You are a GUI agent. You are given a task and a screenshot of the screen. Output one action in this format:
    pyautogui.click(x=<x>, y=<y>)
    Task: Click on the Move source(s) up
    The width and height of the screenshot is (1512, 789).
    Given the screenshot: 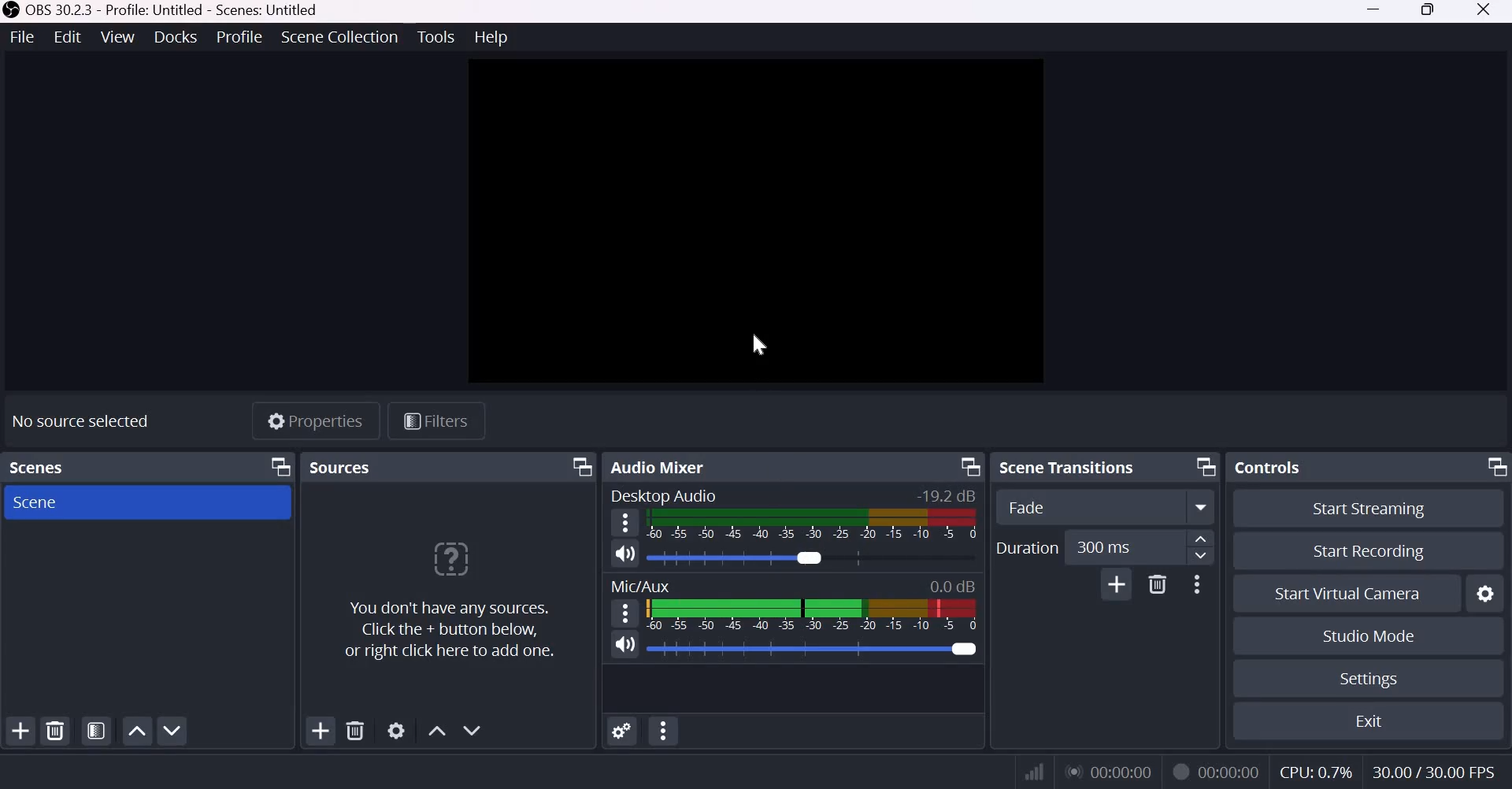 What is the action you would take?
    pyautogui.click(x=437, y=731)
    